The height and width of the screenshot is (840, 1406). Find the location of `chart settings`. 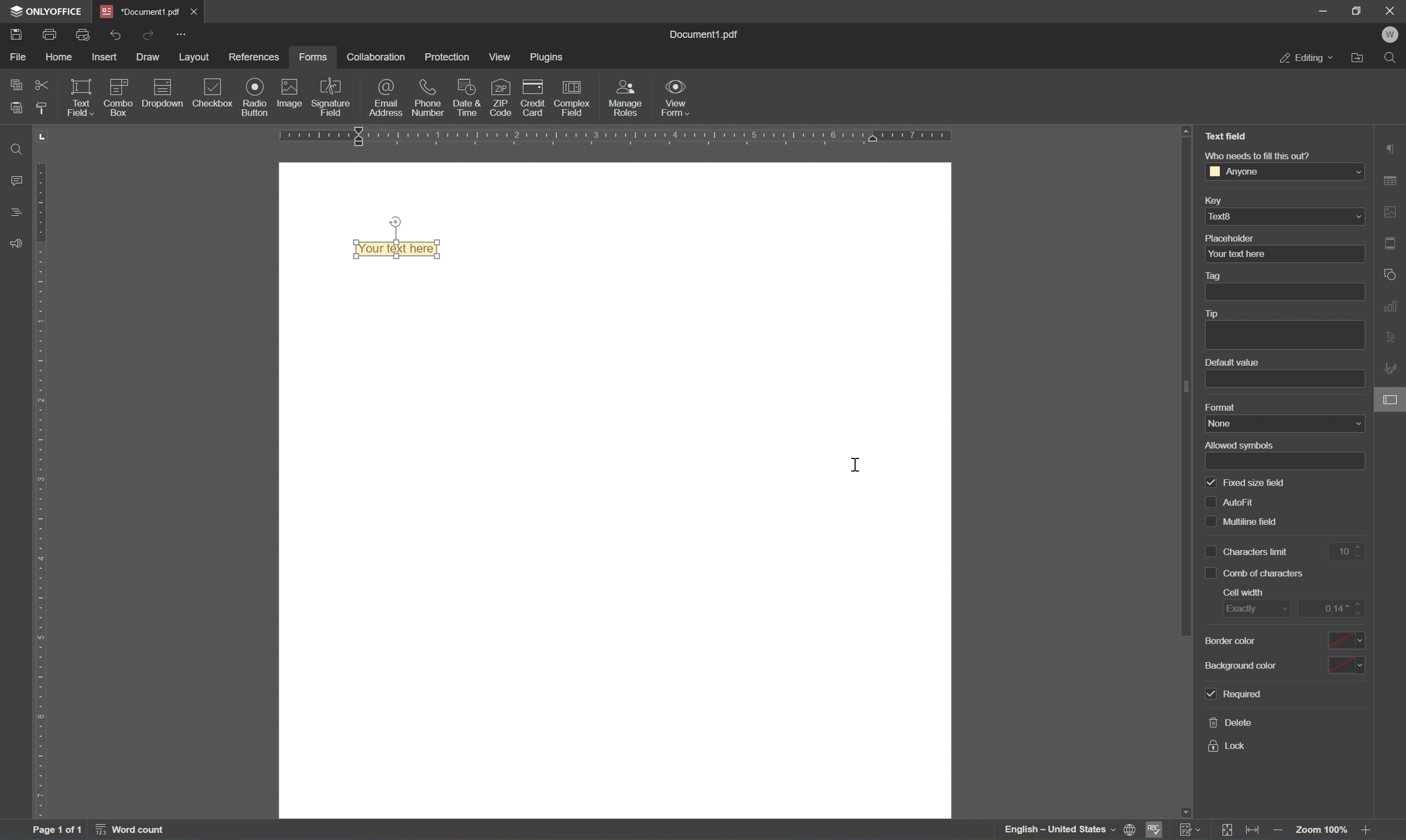

chart settings is located at coordinates (1392, 306).